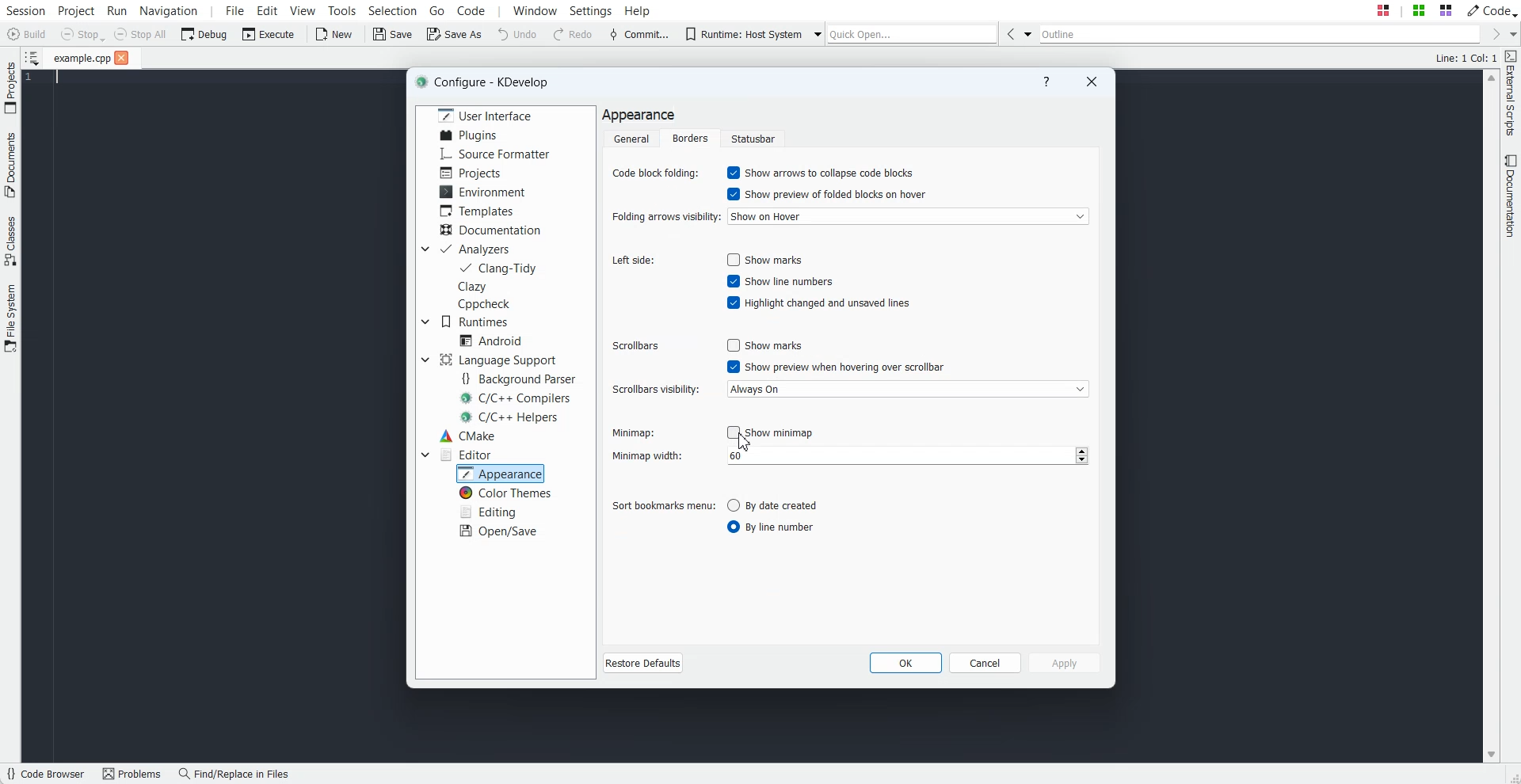 This screenshot has height=784, width=1521. Describe the element at coordinates (1491, 755) in the screenshot. I see `Scroll down` at that location.